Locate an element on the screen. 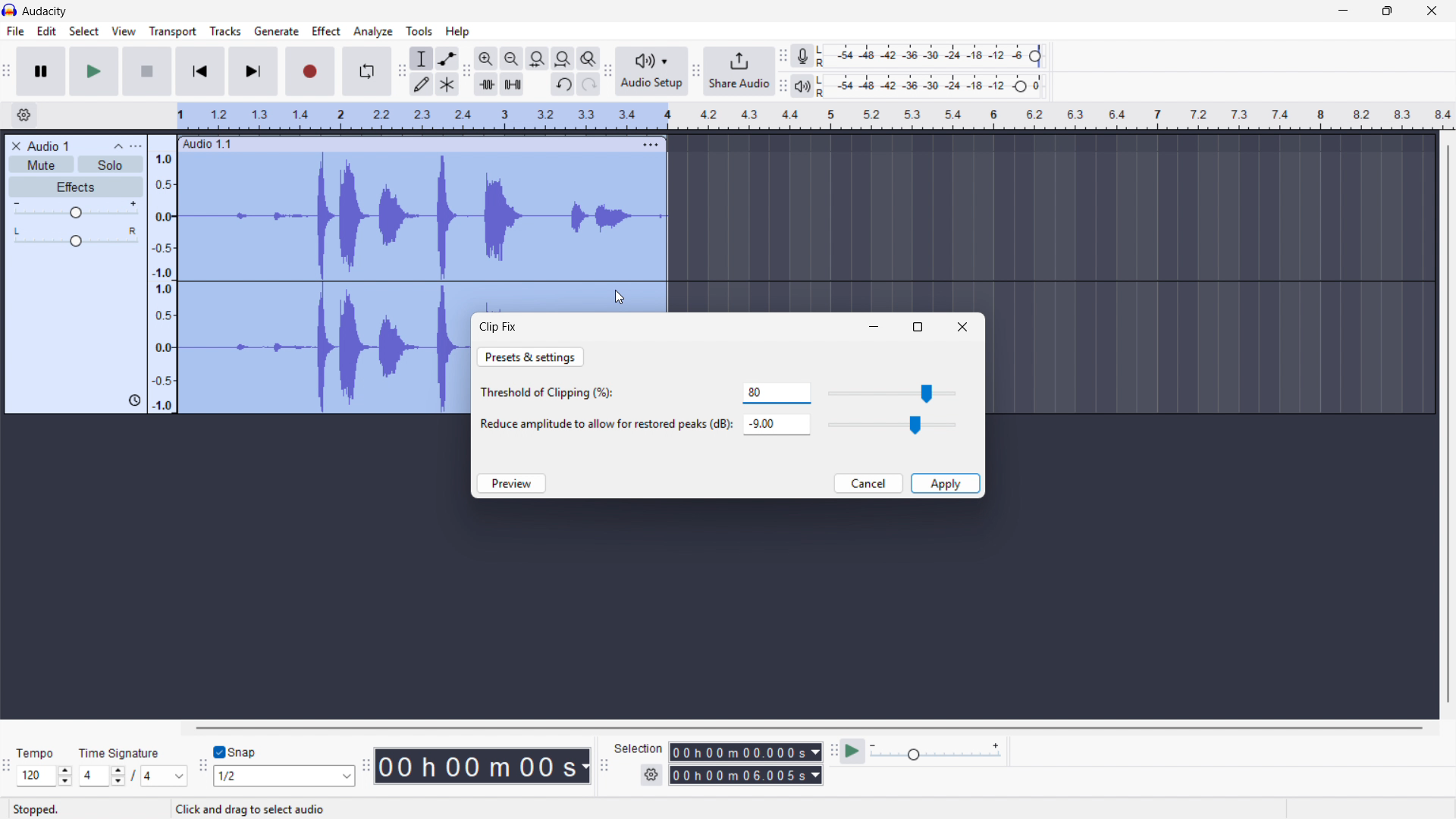 This screenshot has height=819, width=1456. gain is located at coordinates (77, 212).